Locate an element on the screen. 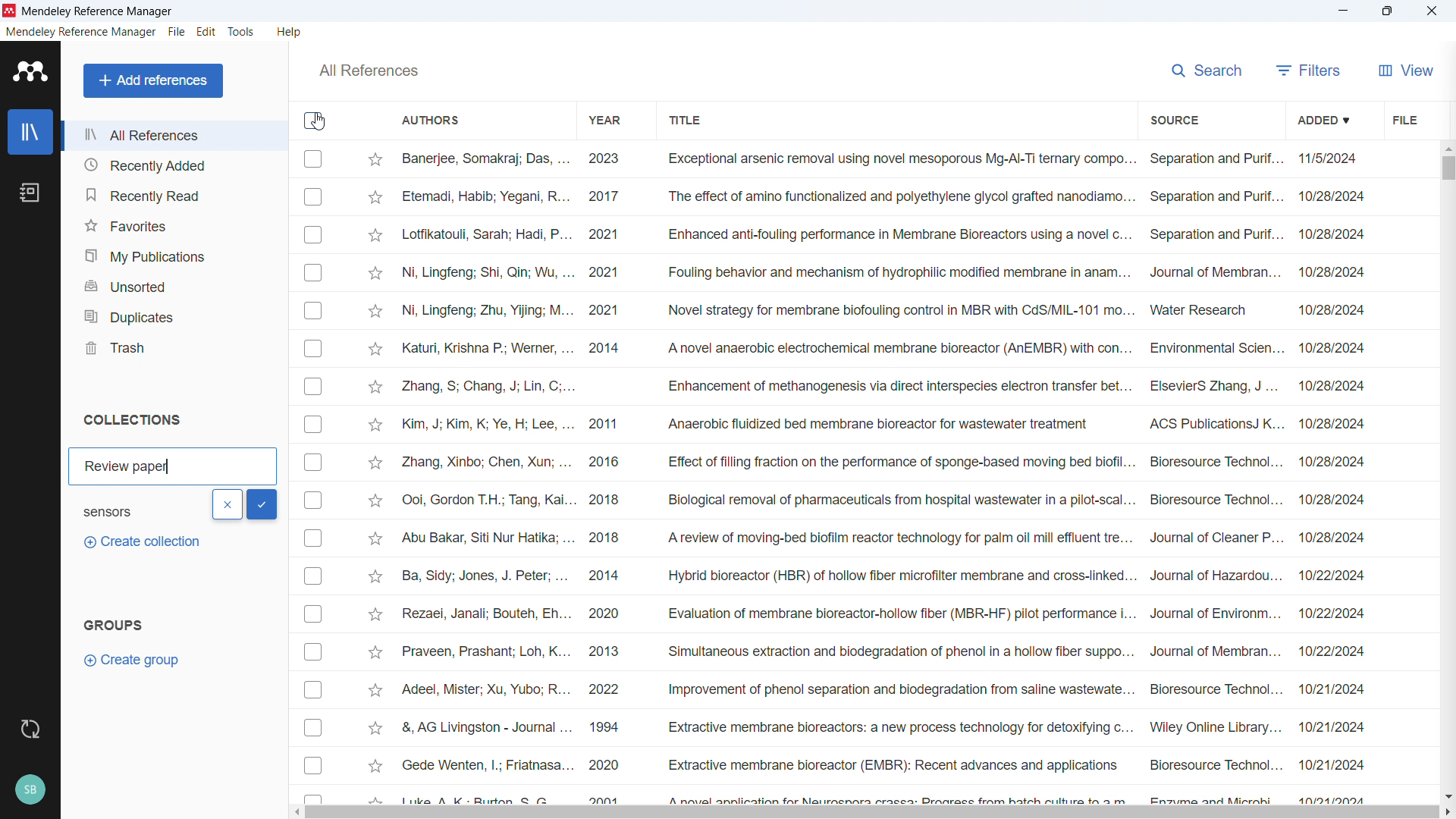 The image size is (1456, 819). Select respective publication is located at coordinates (313, 764).